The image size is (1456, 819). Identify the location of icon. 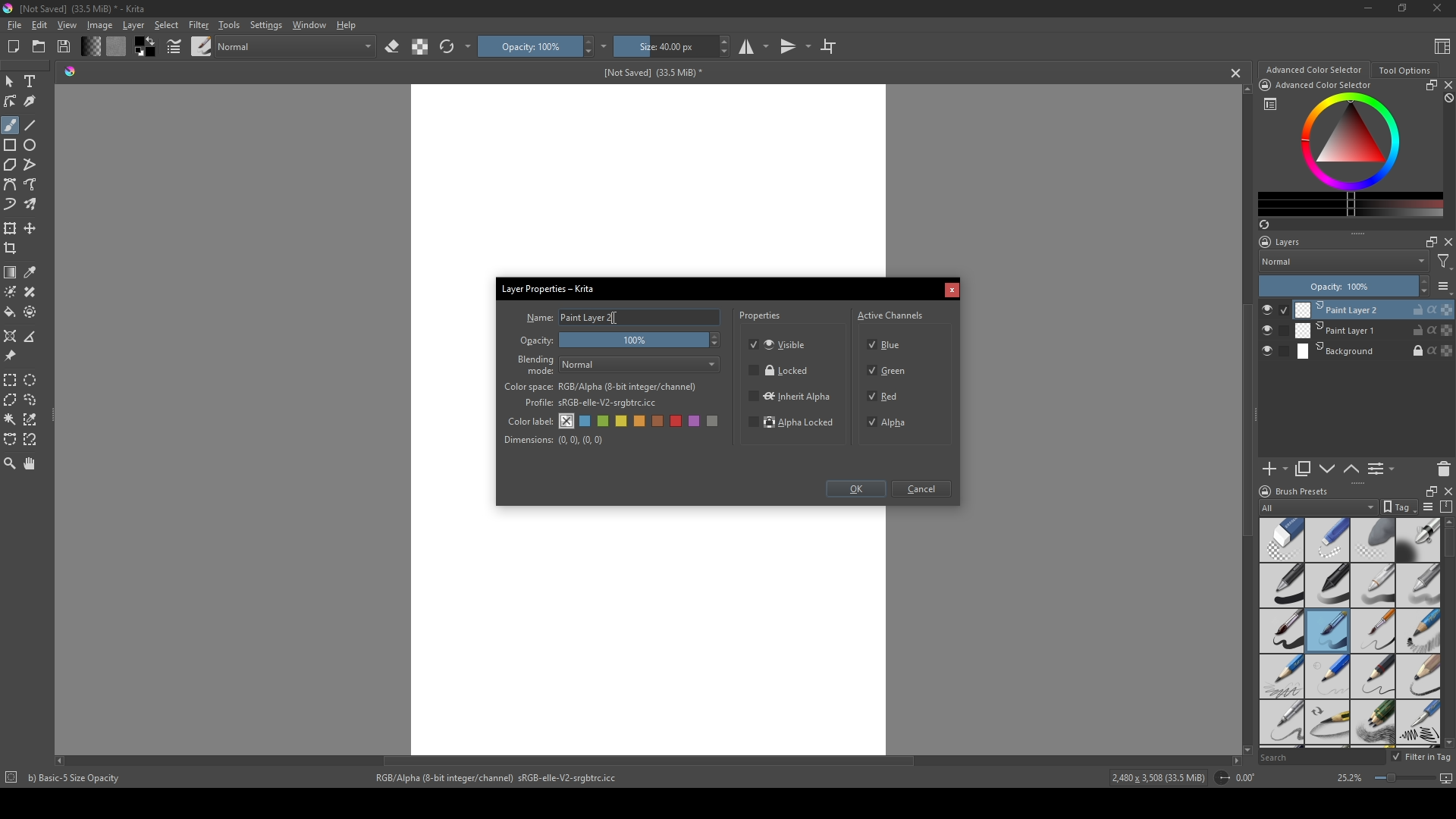
(1264, 85).